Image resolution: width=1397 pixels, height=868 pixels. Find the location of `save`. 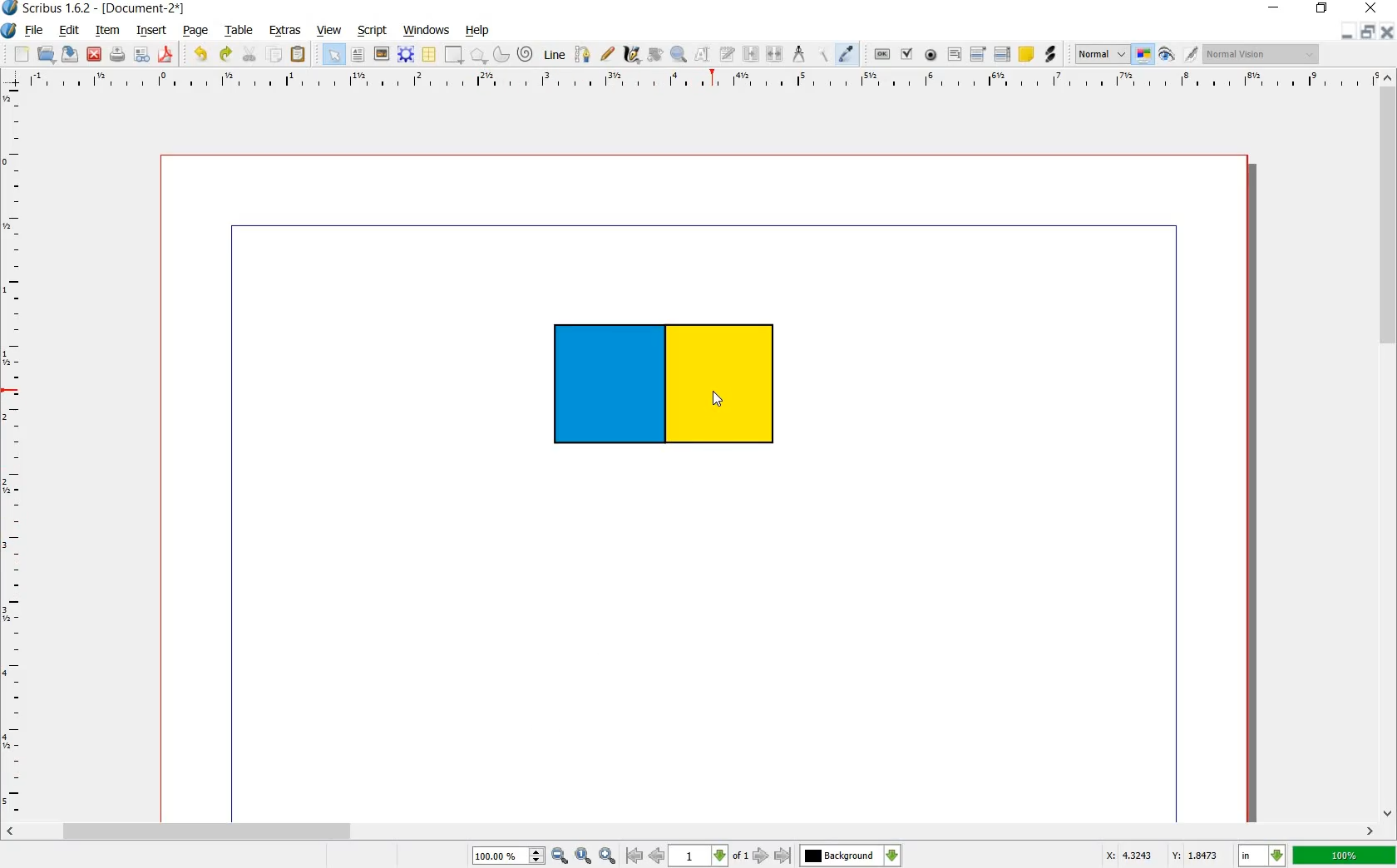

save is located at coordinates (69, 55).